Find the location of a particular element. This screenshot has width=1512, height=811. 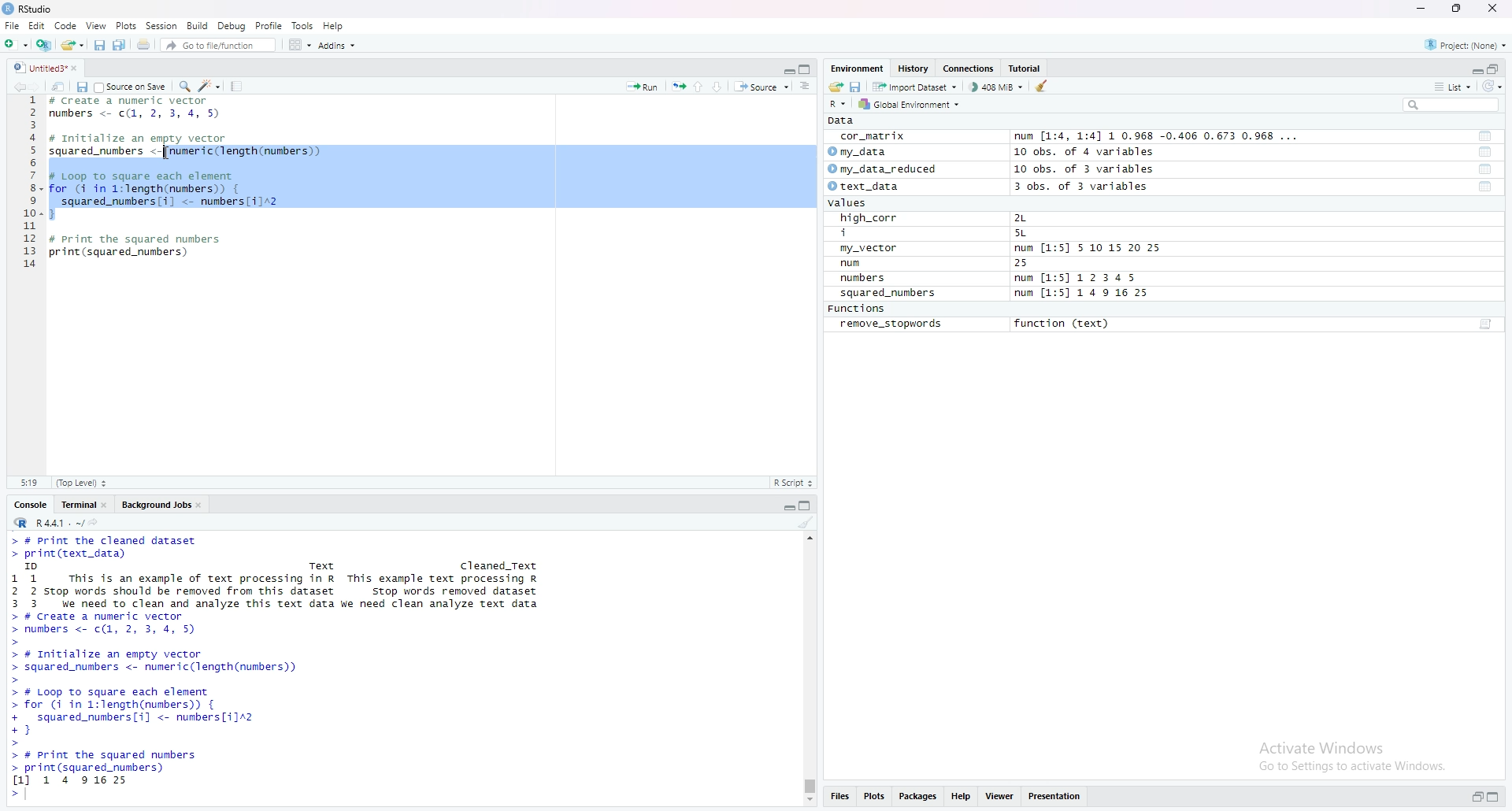

Edit is located at coordinates (36, 25).